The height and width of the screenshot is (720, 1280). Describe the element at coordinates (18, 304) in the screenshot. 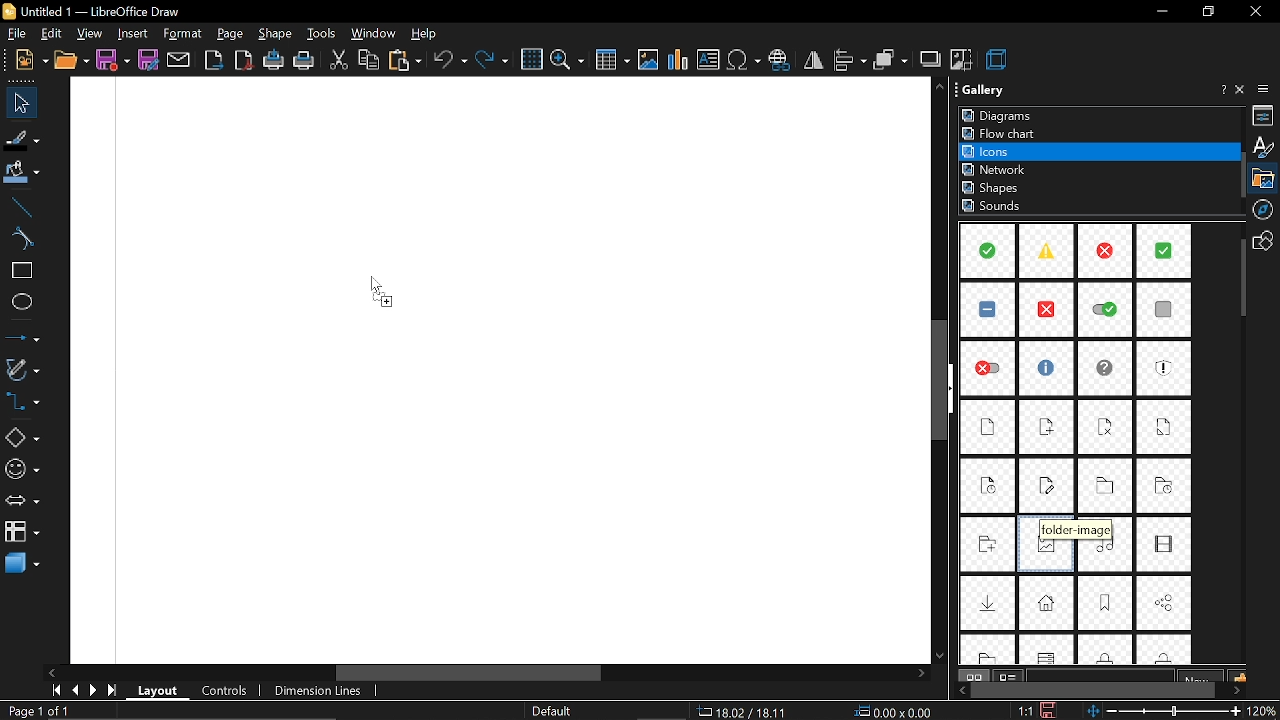

I see `ellipse` at that location.